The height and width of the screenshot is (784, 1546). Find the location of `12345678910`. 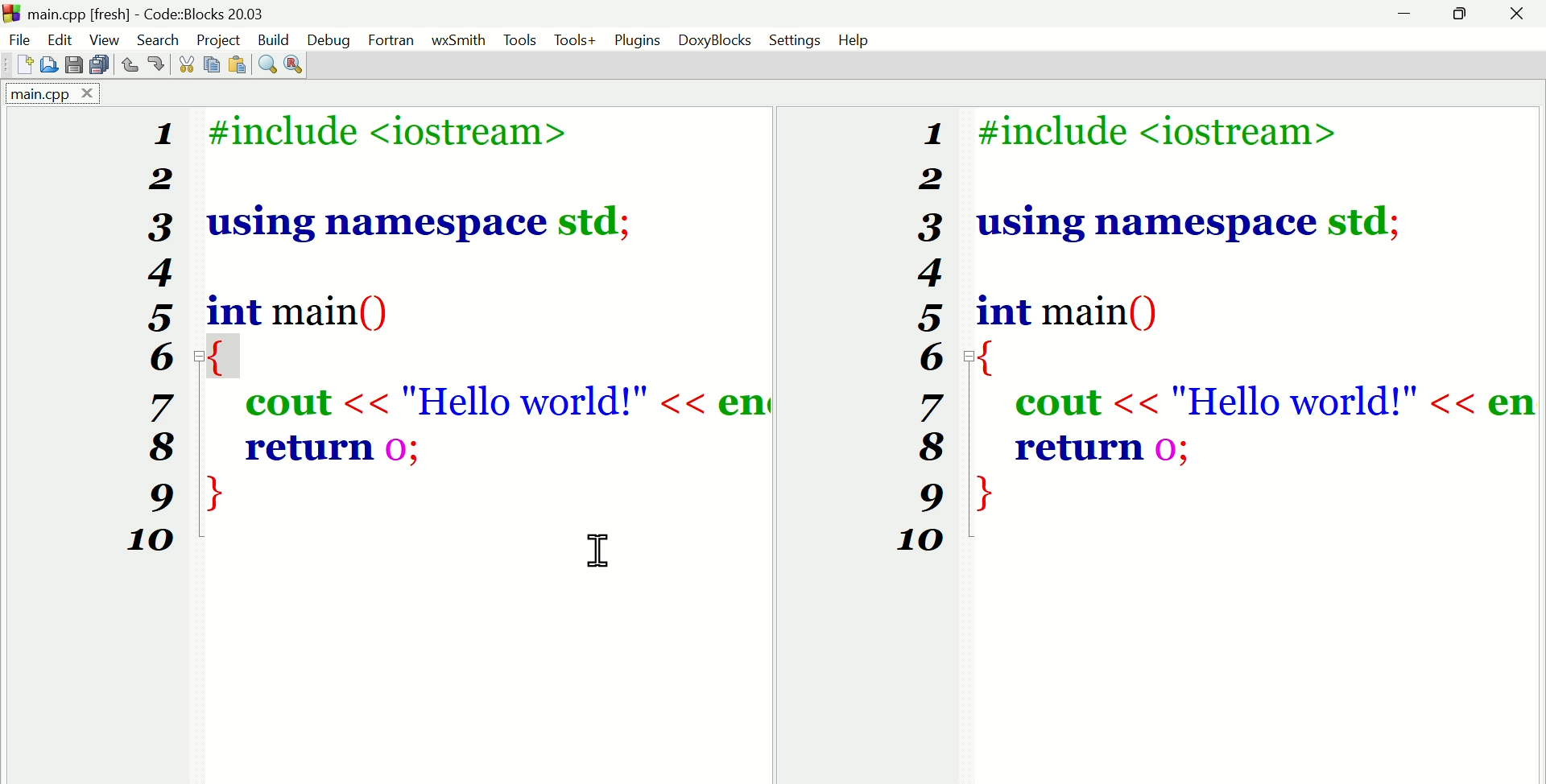

12345678910 is located at coordinates (151, 345).